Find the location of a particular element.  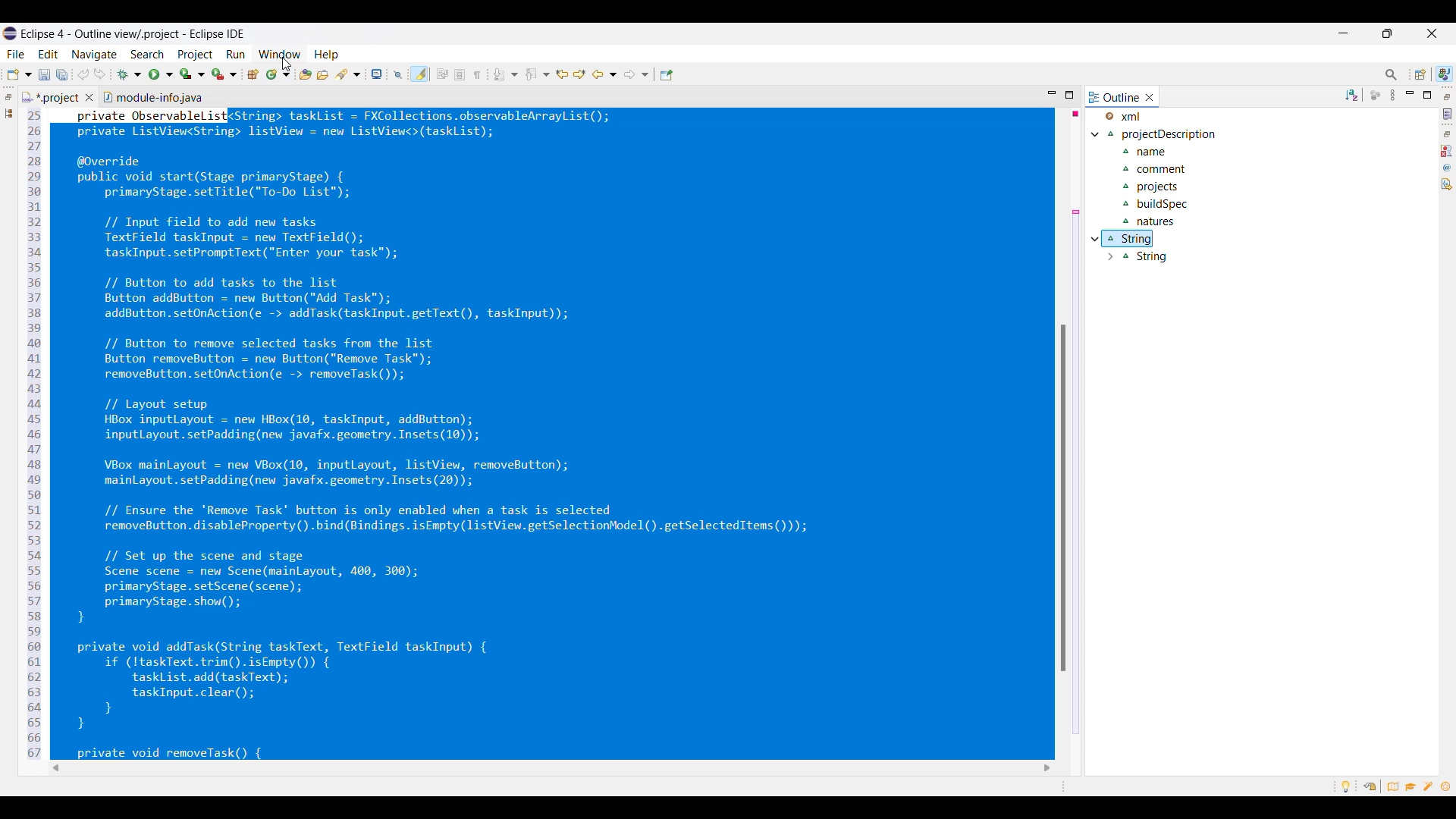

New options is located at coordinates (20, 74).